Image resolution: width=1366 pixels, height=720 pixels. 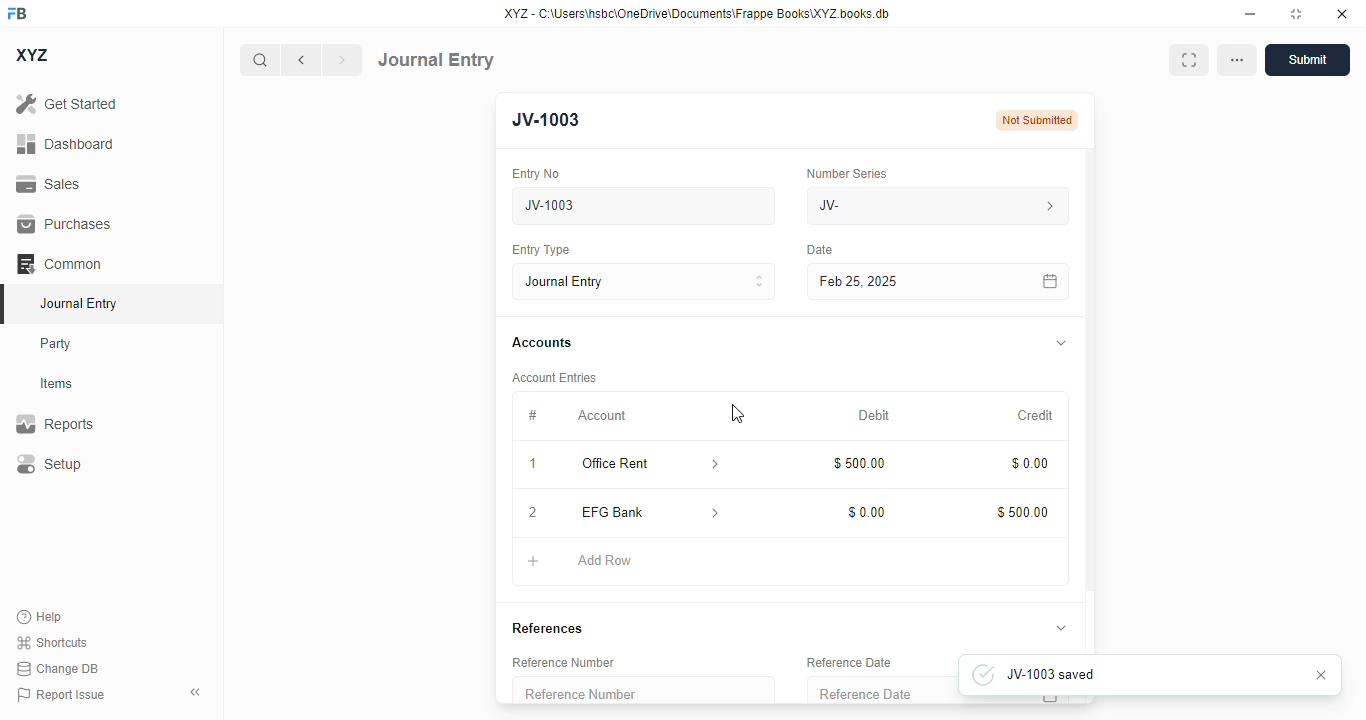 I want to click on items, so click(x=57, y=384).